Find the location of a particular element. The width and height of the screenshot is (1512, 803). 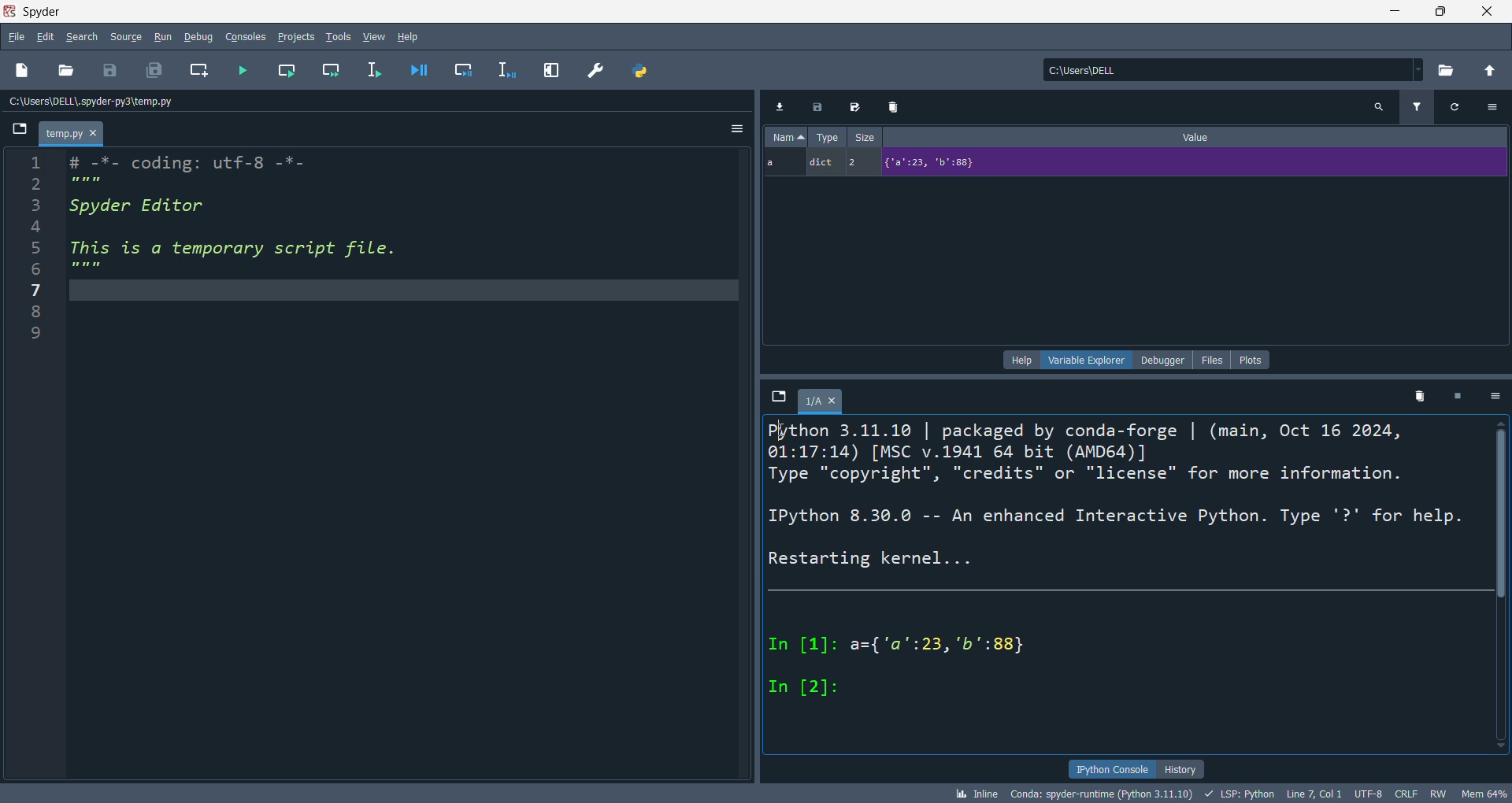

new file is located at coordinates (23, 68).